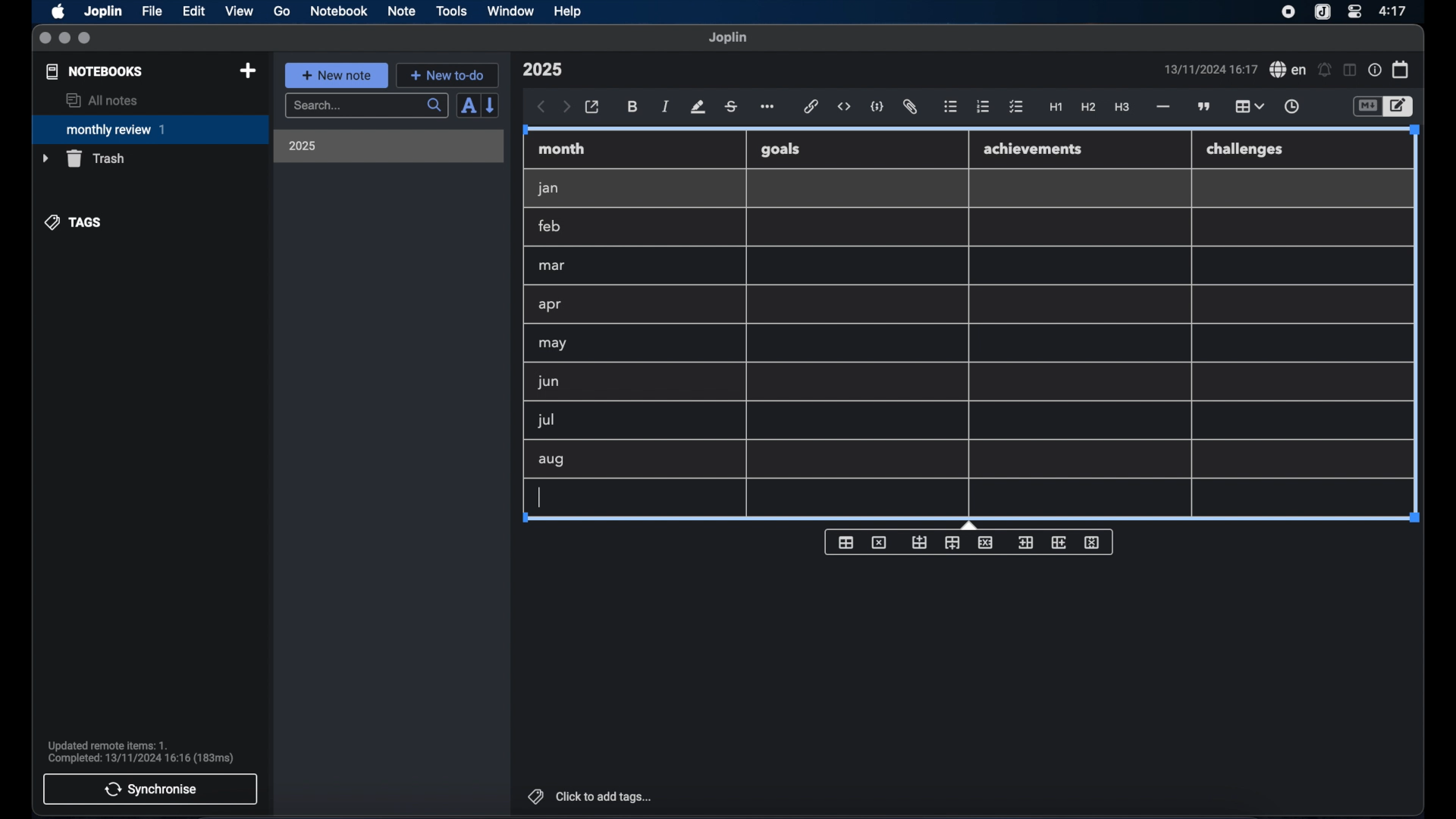 This screenshot has height=819, width=1456. I want to click on close, so click(45, 39).